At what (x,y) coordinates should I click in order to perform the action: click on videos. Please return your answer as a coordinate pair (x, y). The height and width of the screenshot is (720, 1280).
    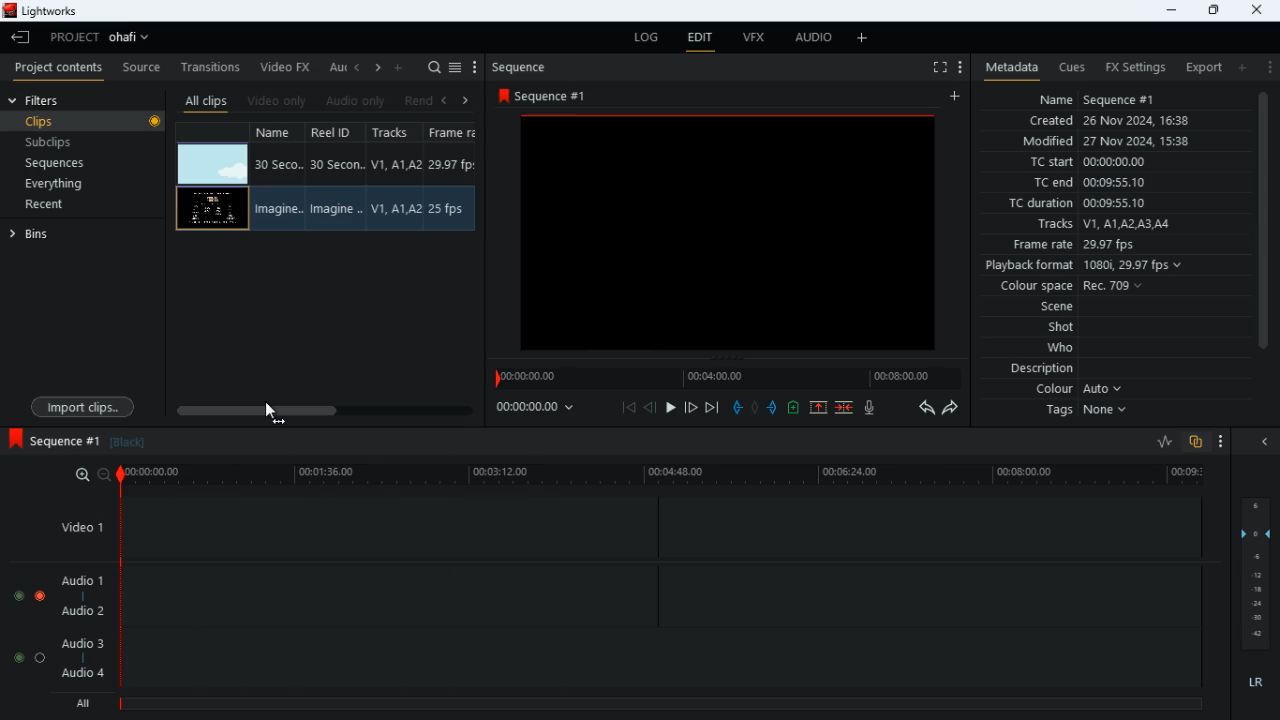
    Looking at the image, I should click on (210, 209).